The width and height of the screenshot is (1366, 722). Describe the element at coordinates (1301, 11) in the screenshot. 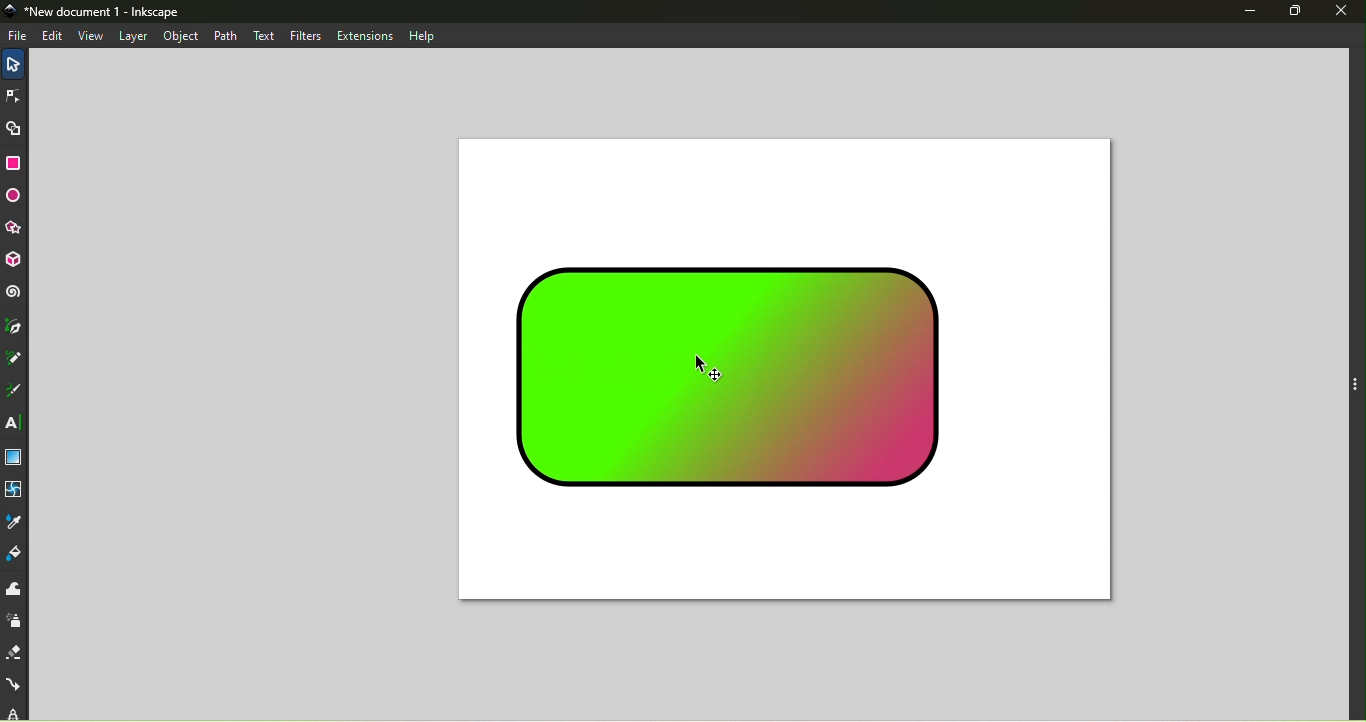

I see `Maximize` at that location.